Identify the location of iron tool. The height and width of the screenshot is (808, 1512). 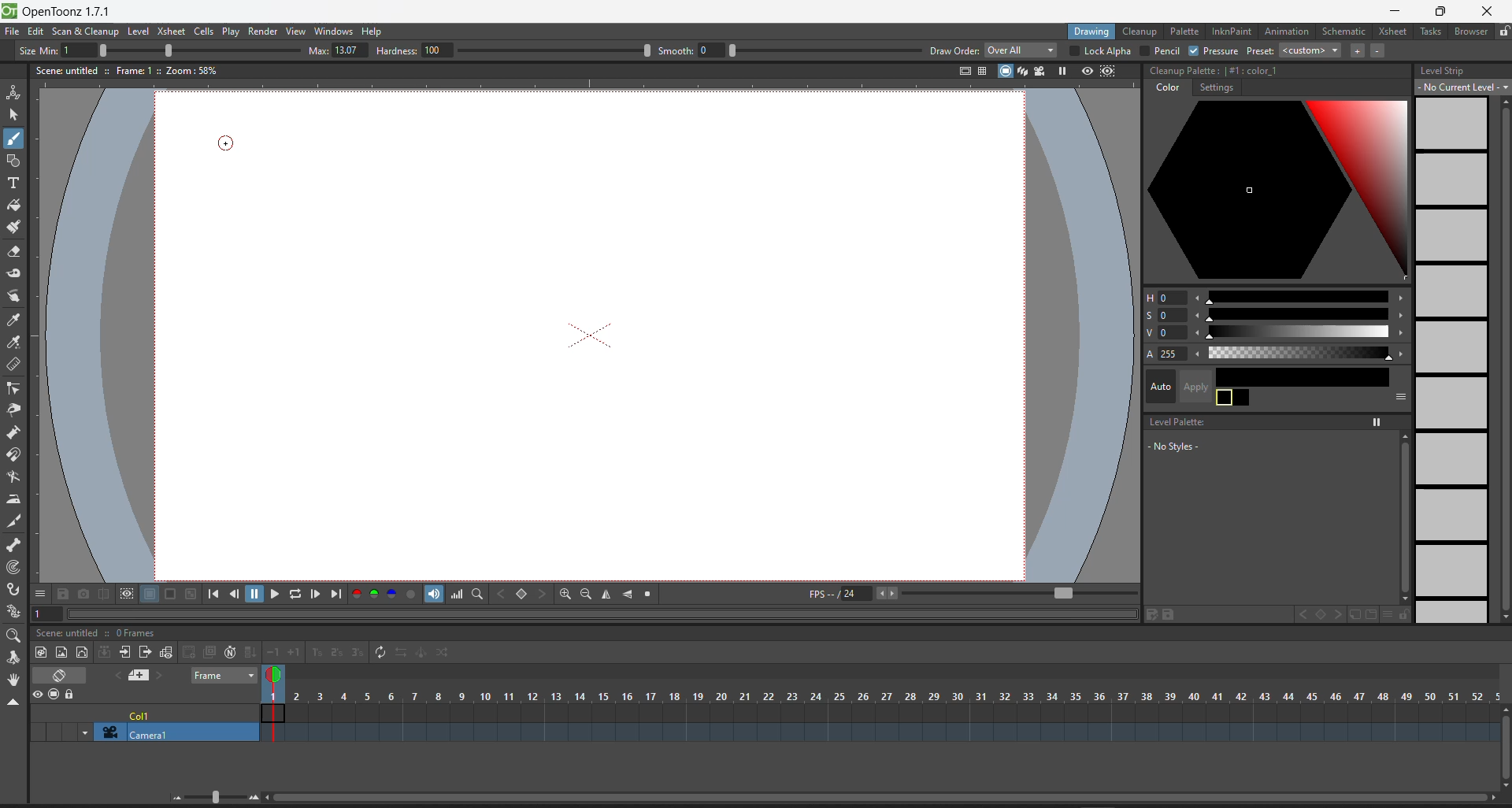
(13, 502).